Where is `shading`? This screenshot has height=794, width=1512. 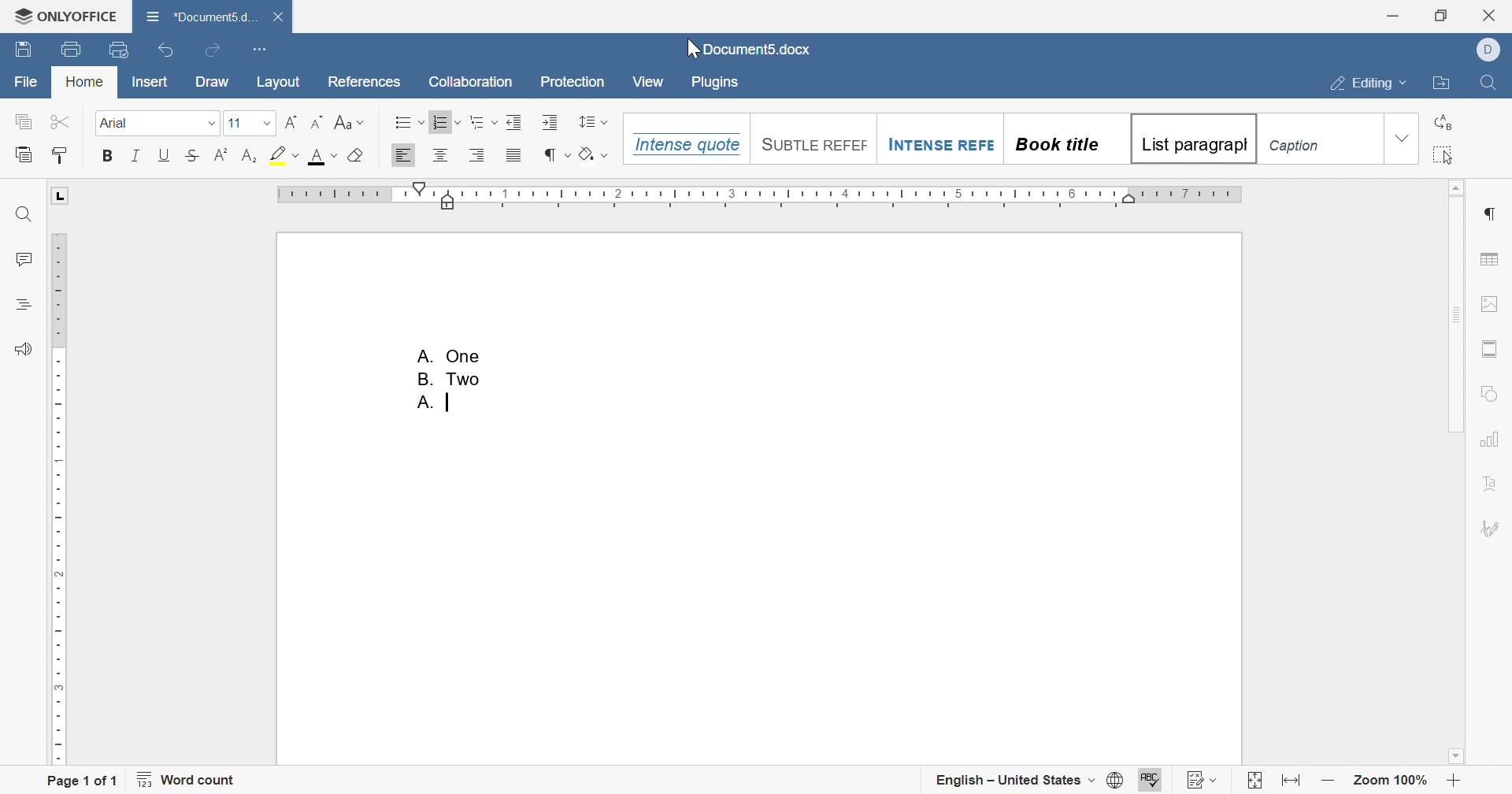
shading is located at coordinates (591, 153).